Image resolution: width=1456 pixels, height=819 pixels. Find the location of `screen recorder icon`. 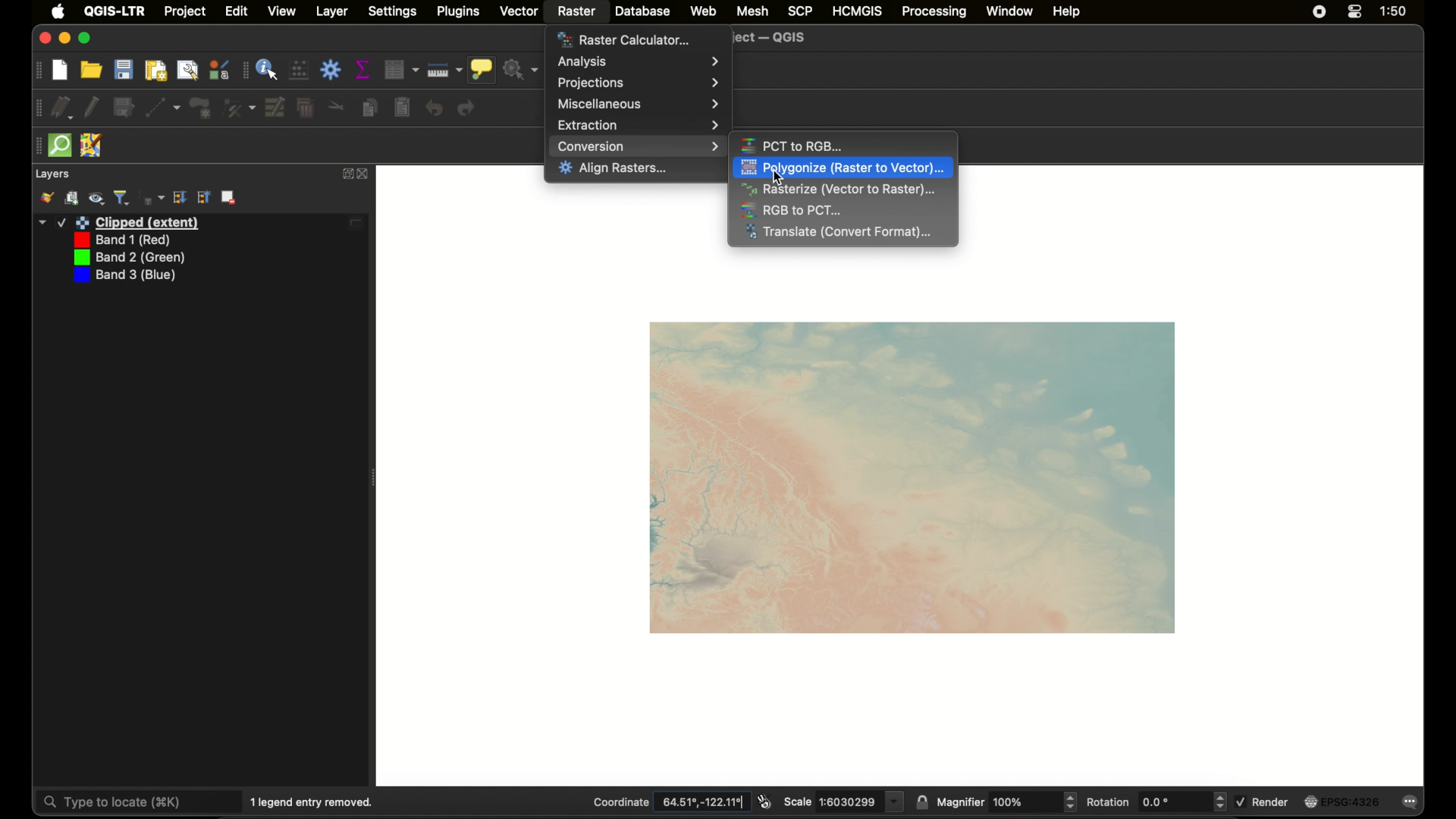

screen recorder icon is located at coordinates (1319, 12).